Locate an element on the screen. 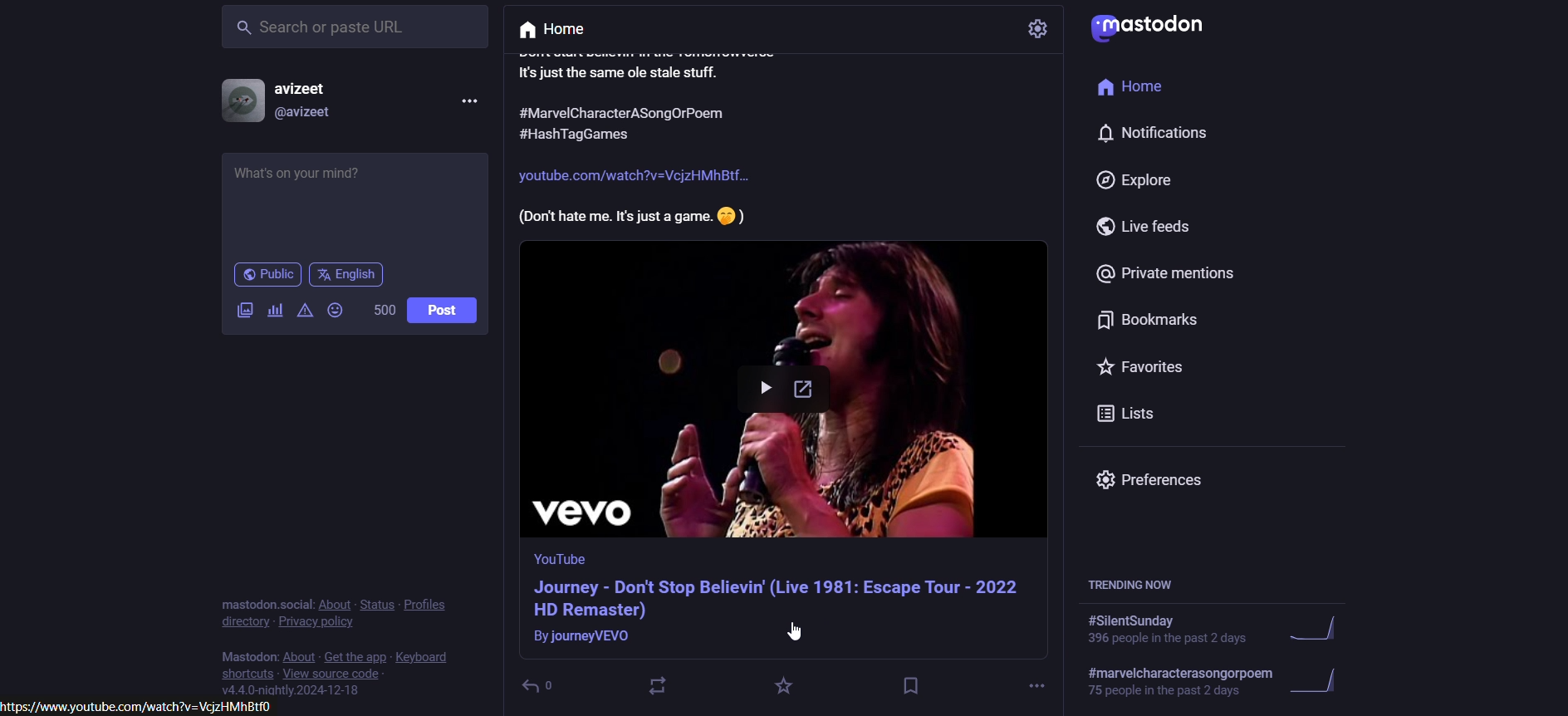 This screenshot has height=716, width=1568. boost is located at coordinates (664, 684).